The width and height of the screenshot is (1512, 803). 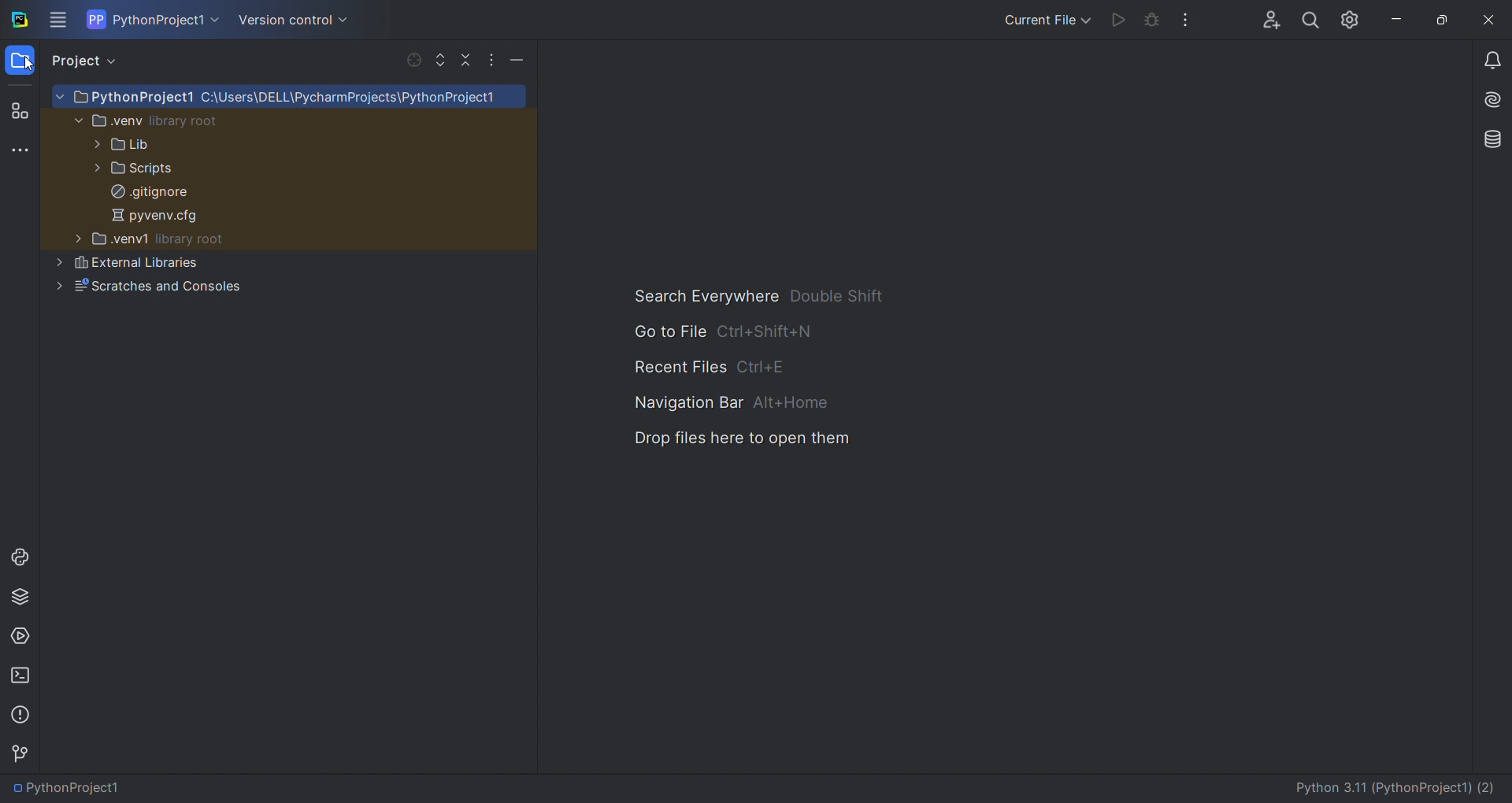 What do you see at coordinates (1493, 18) in the screenshot?
I see `close` at bounding box center [1493, 18].